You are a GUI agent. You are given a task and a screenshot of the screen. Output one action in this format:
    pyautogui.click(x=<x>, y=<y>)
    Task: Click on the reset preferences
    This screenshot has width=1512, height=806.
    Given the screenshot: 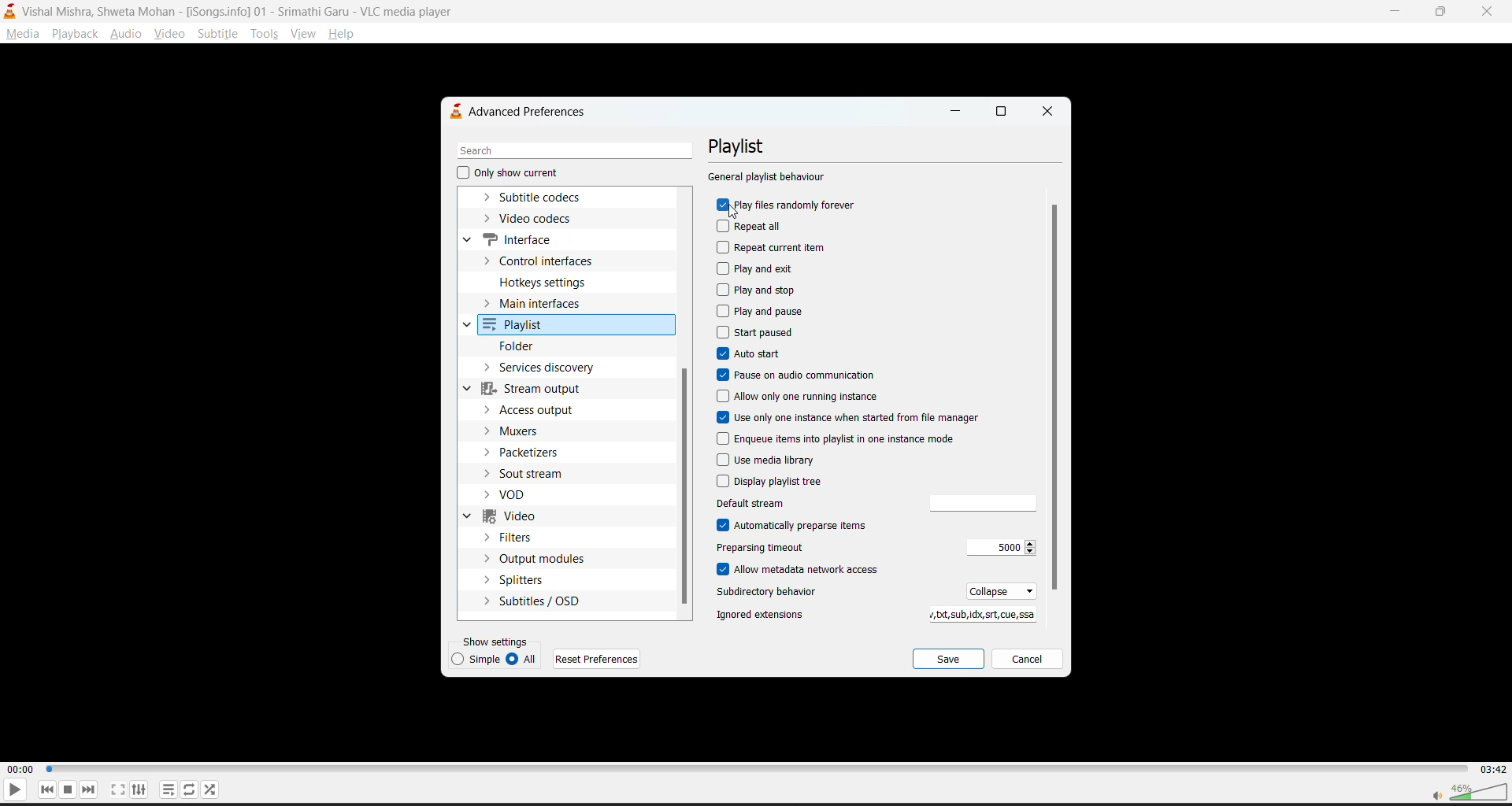 What is the action you would take?
    pyautogui.click(x=595, y=660)
    